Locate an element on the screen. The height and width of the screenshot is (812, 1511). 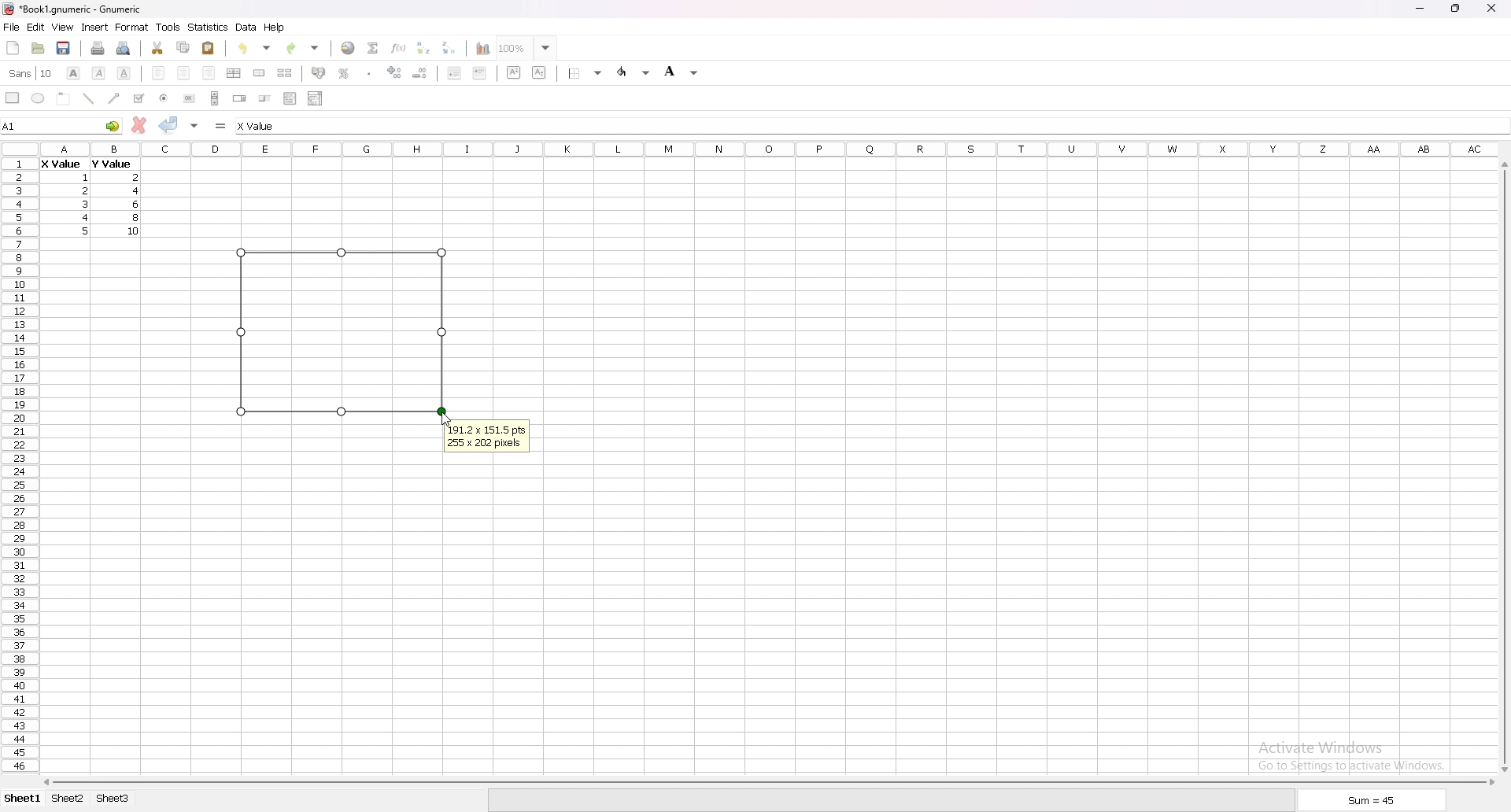
radio button is located at coordinates (164, 98).